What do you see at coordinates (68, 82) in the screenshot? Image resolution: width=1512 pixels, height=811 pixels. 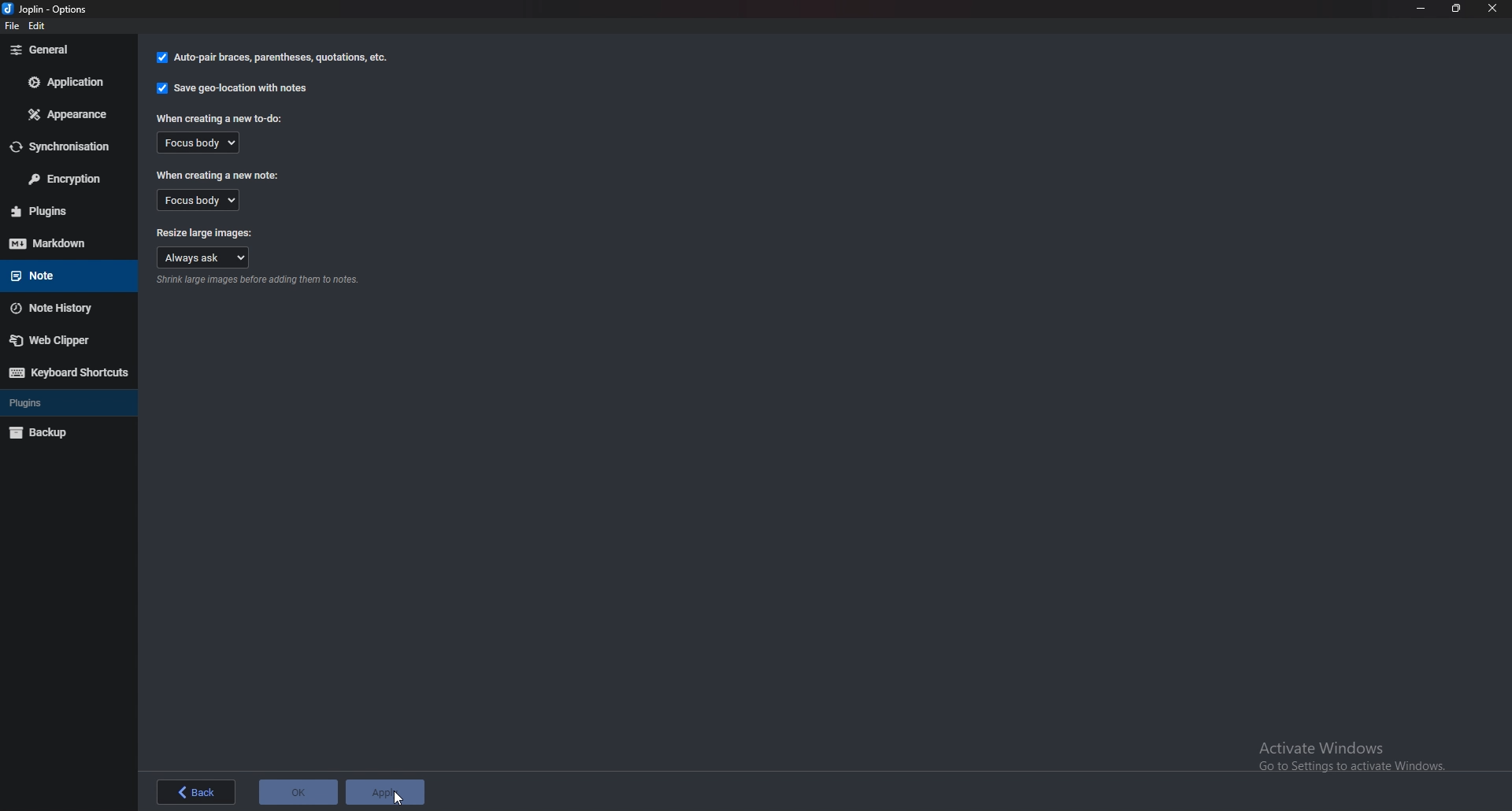 I see `Application` at bounding box center [68, 82].